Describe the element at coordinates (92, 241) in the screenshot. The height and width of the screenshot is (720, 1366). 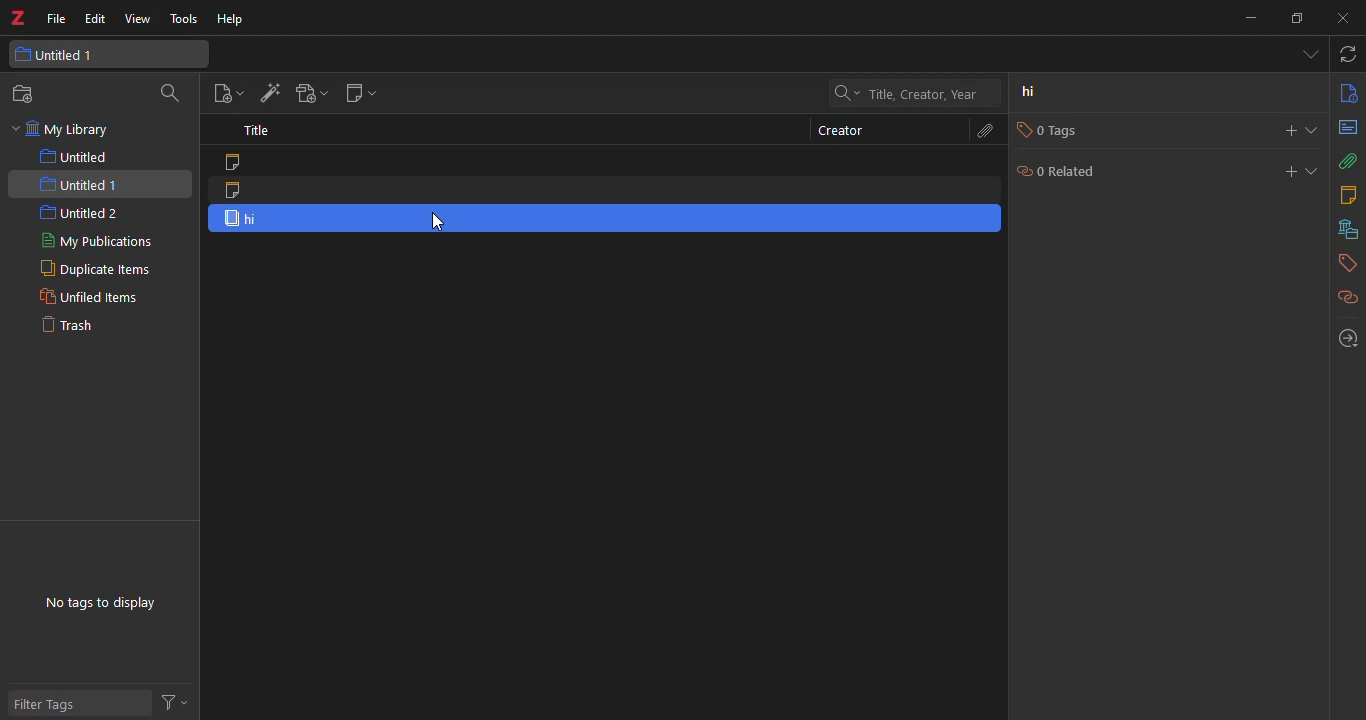
I see `my publications` at that location.